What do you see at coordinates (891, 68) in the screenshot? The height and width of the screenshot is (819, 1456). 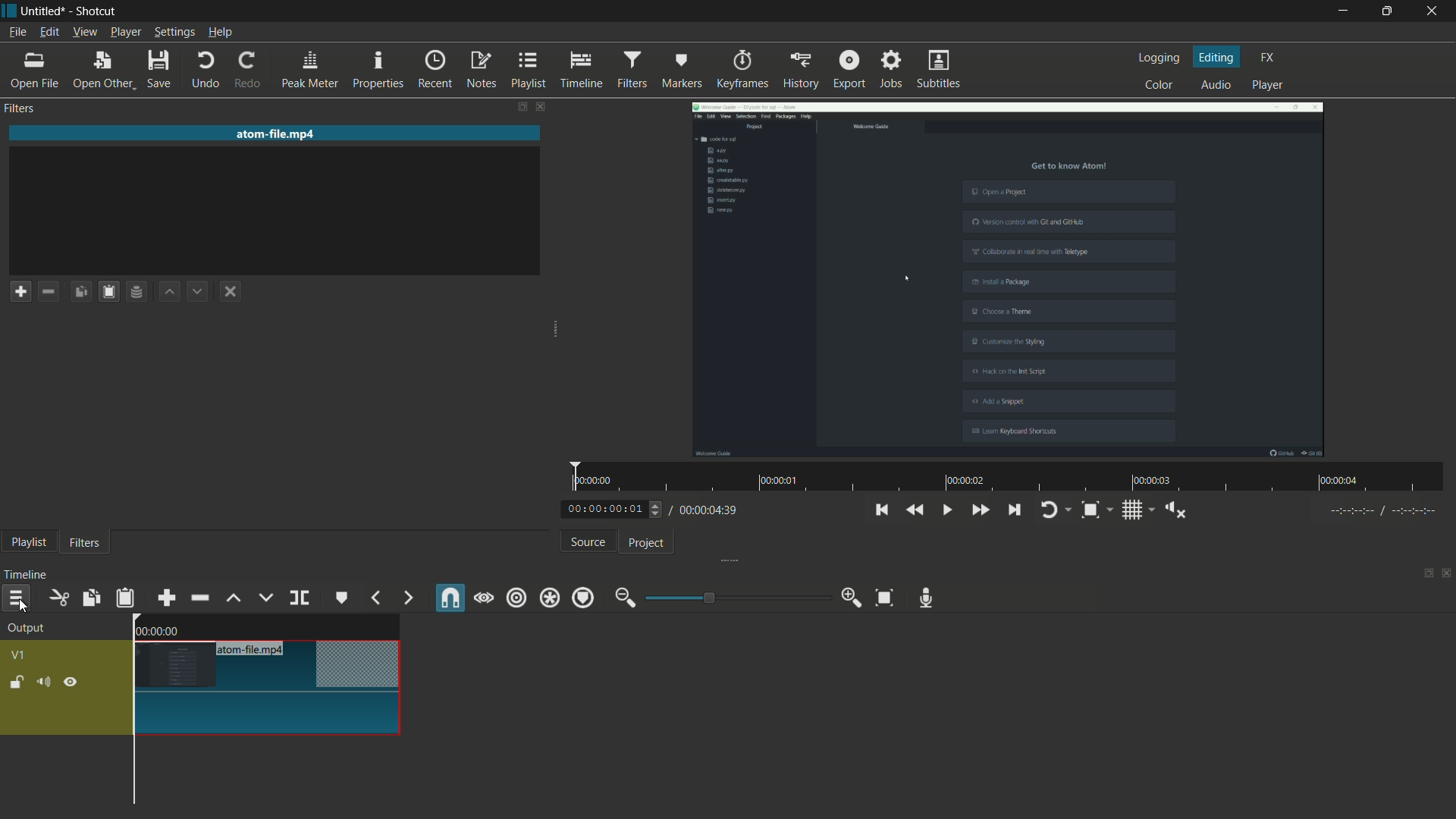 I see `jobs` at bounding box center [891, 68].